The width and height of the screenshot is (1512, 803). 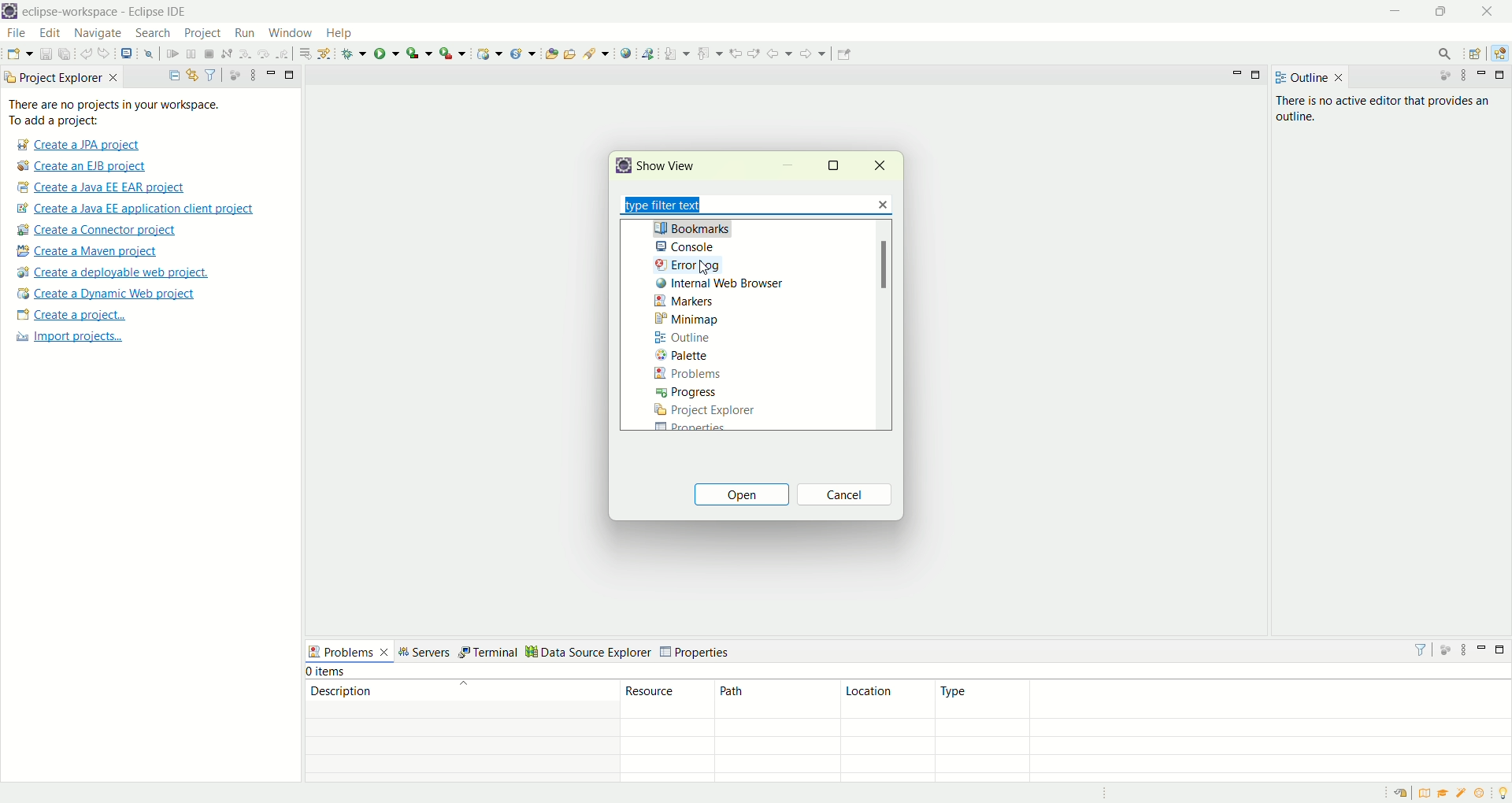 What do you see at coordinates (418, 53) in the screenshot?
I see `coverage` at bounding box center [418, 53].